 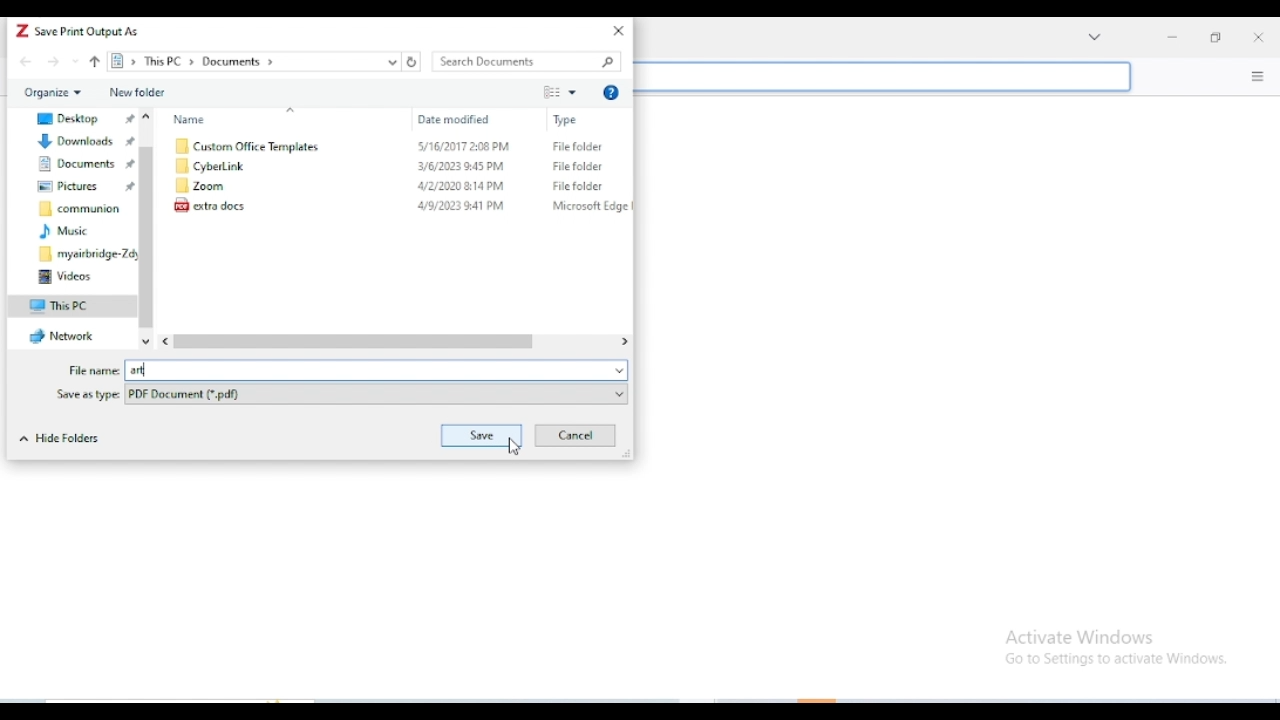 I want to click on videos, so click(x=64, y=277).